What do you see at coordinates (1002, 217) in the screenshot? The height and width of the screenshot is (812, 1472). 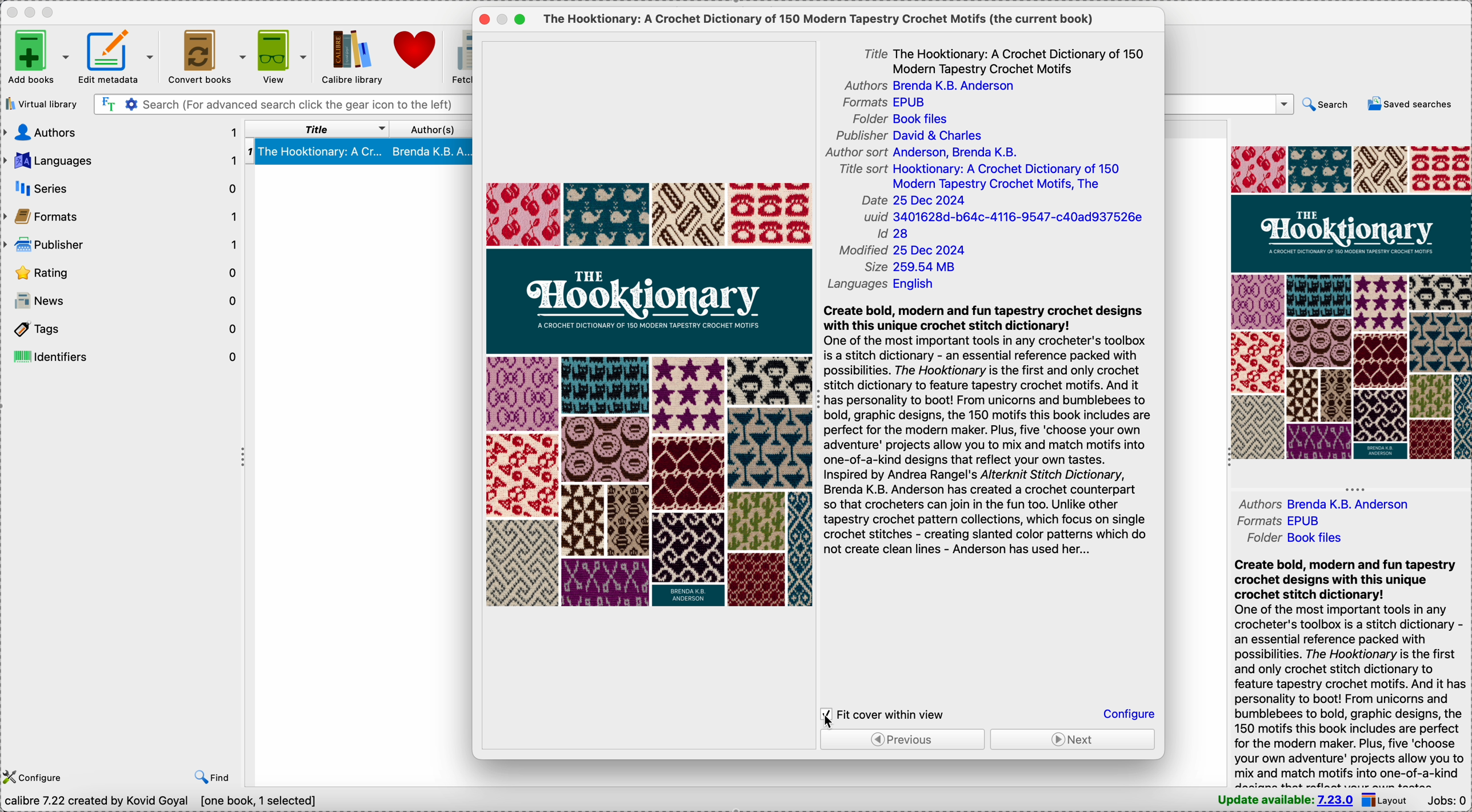 I see `uuid` at bounding box center [1002, 217].